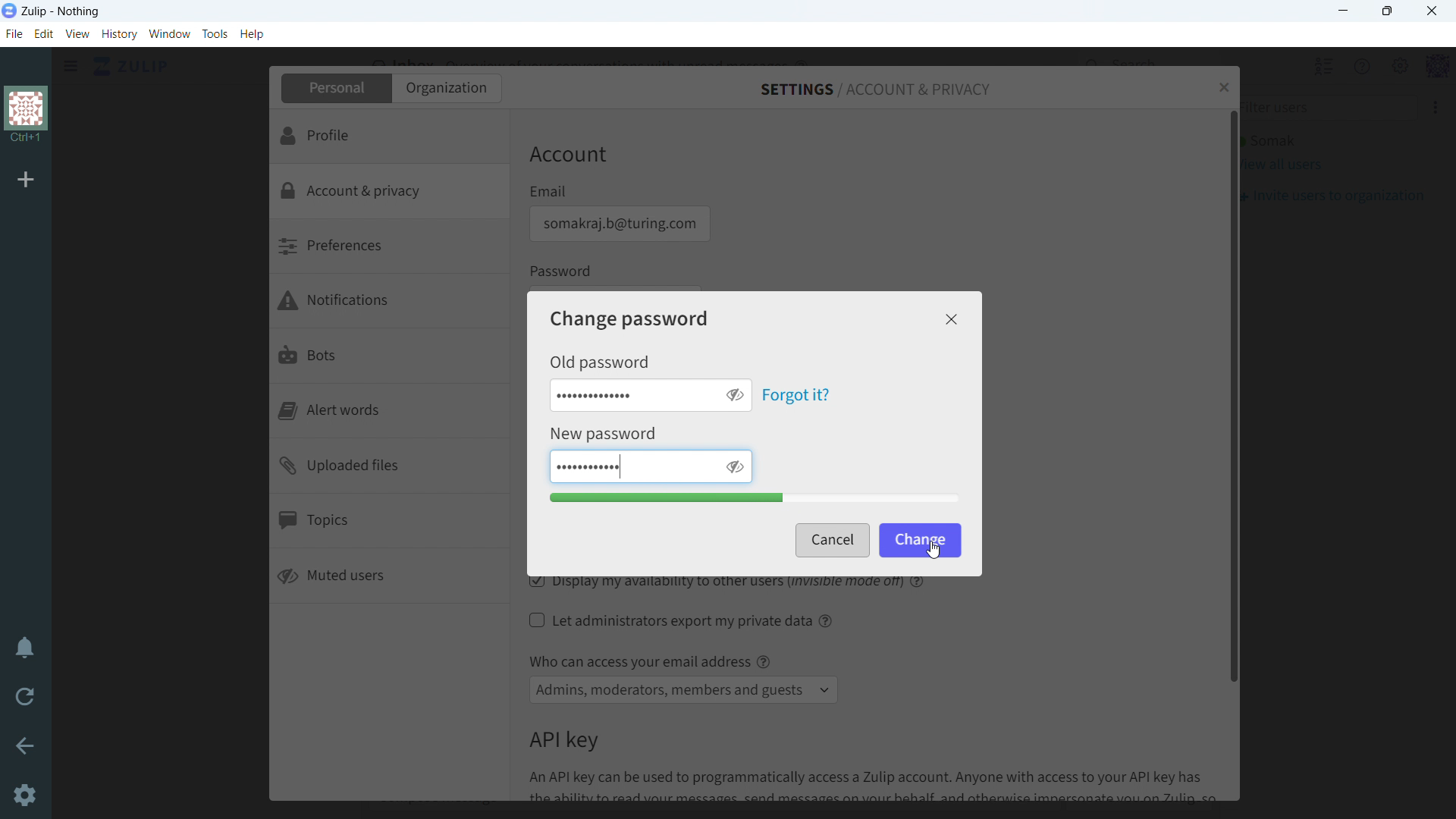 This screenshot has height=819, width=1456. What do you see at coordinates (43, 34) in the screenshot?
I see `edit` at bounding box center [43, 34].